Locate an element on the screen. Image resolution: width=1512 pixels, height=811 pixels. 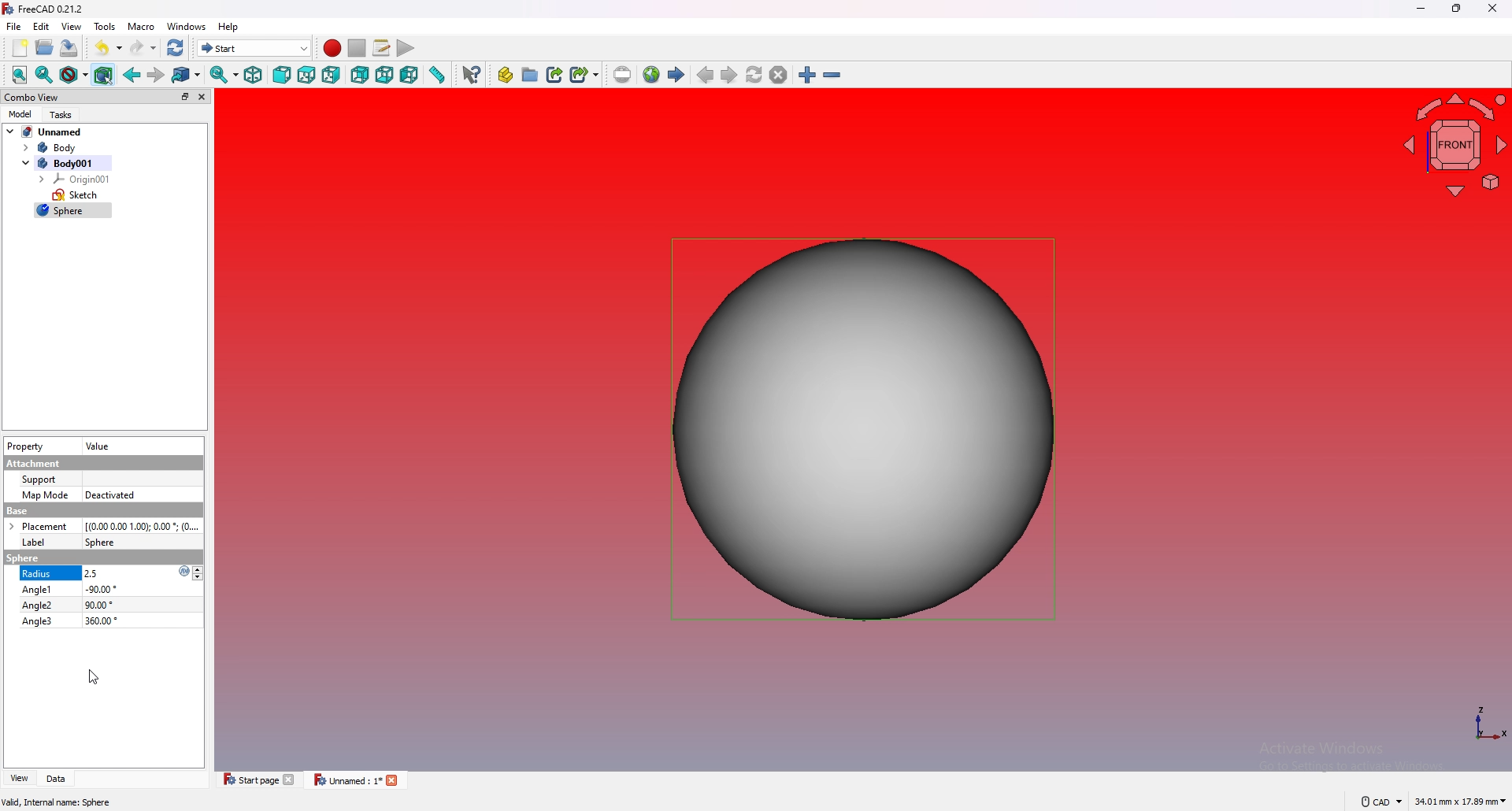
zoom in is located at coordinates (807, 75).